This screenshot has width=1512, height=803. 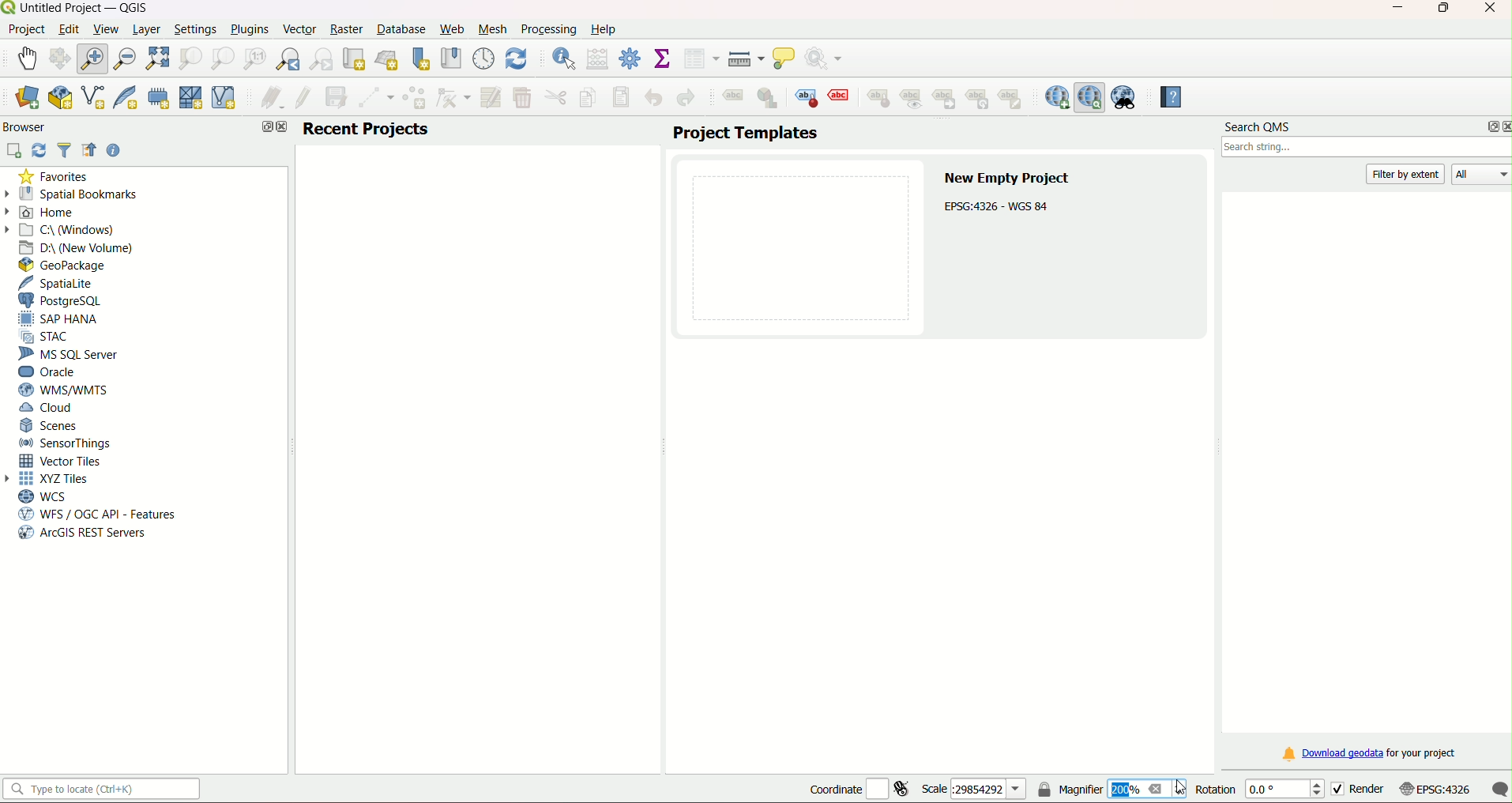 What do you see at coordinates (62, 58) in the screenshot?
I see `pan the canvas` at bounding box center [62, 58].